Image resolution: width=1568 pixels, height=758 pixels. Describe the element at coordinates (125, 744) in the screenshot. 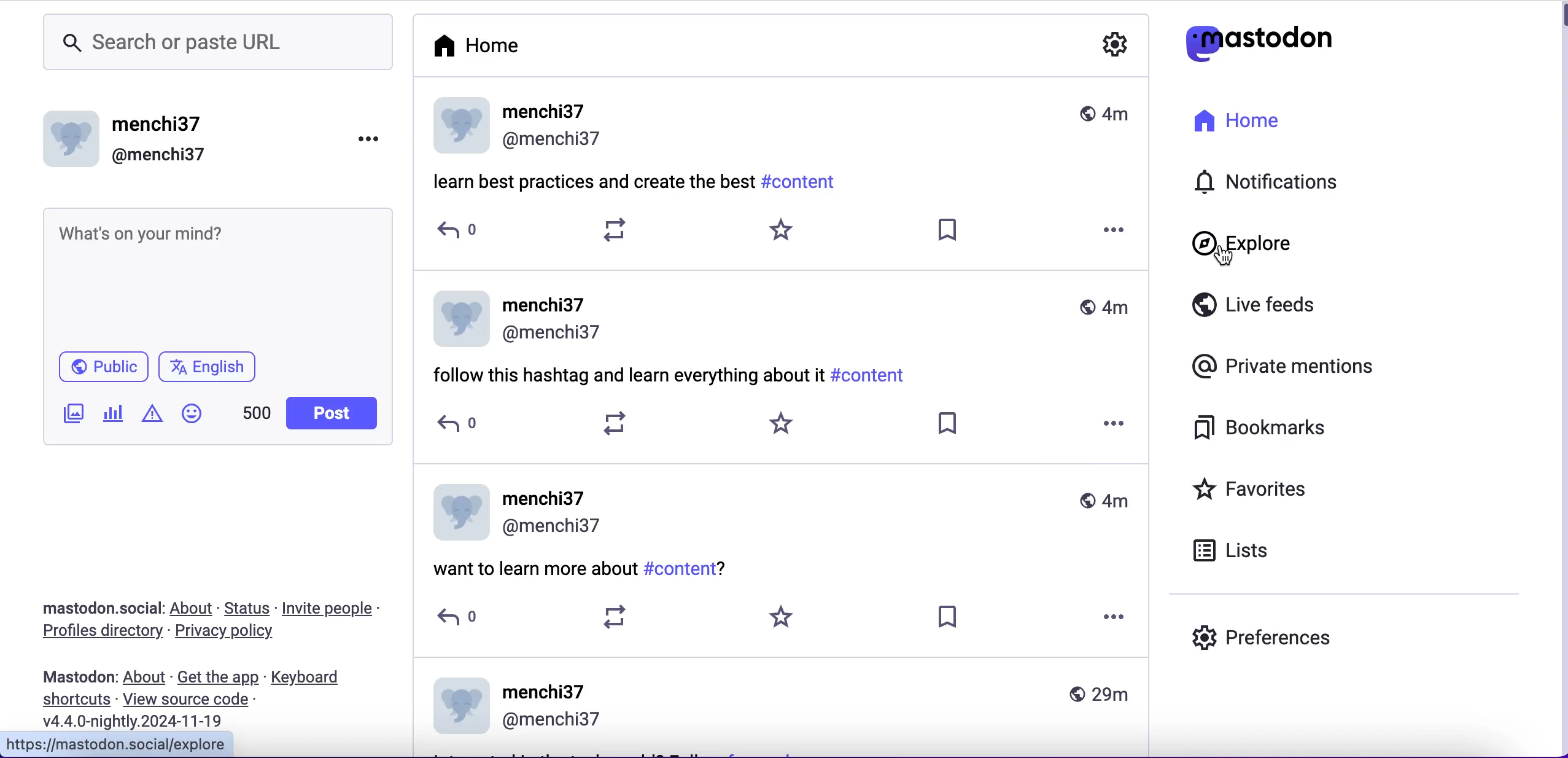

I see `mastodon.social/explore` at that location.